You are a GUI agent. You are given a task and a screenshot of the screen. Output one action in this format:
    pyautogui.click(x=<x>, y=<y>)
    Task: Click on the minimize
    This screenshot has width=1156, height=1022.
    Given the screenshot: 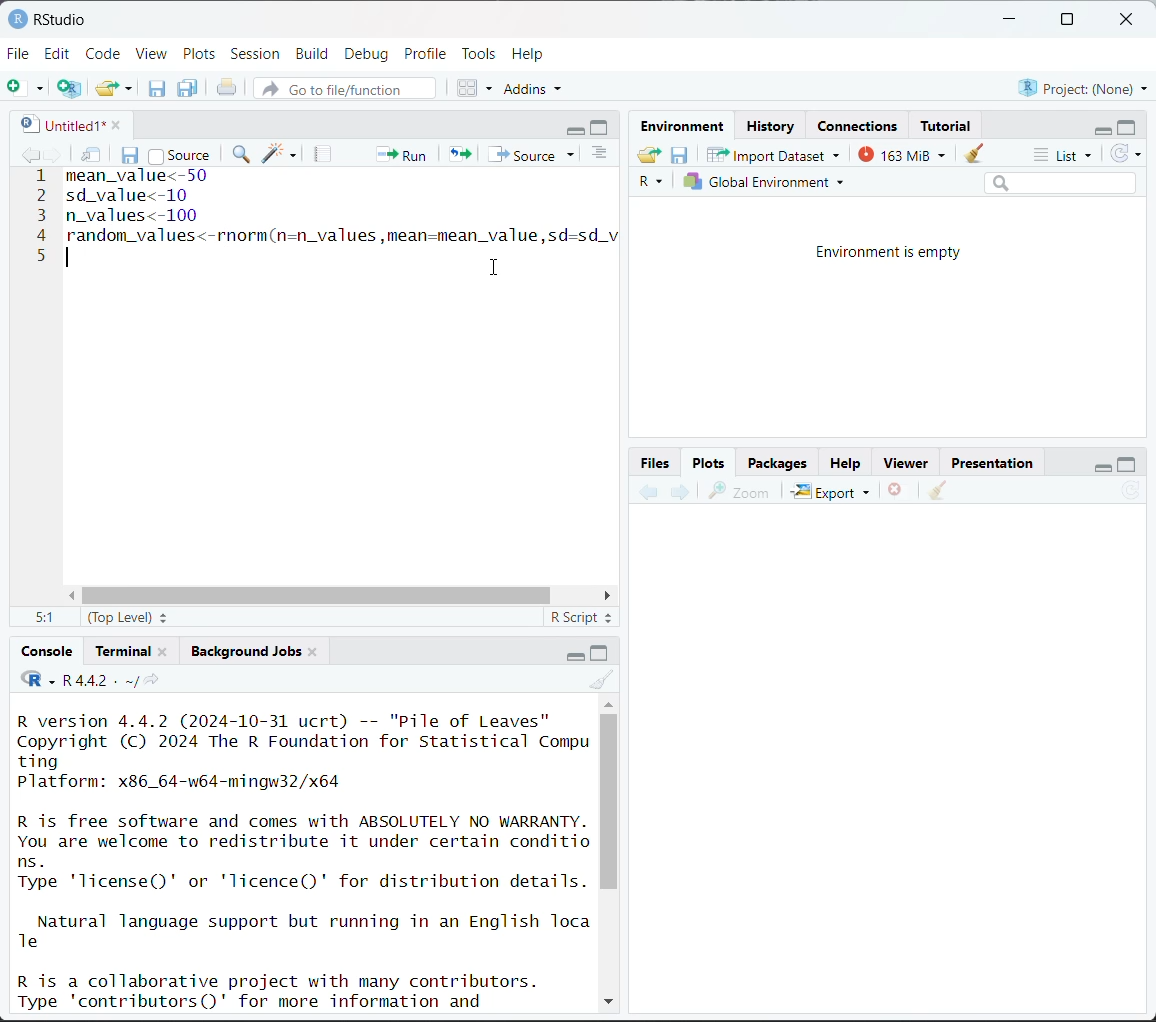 What is the action you would take?
    pyautogui.click(x=1099, y=464)
    